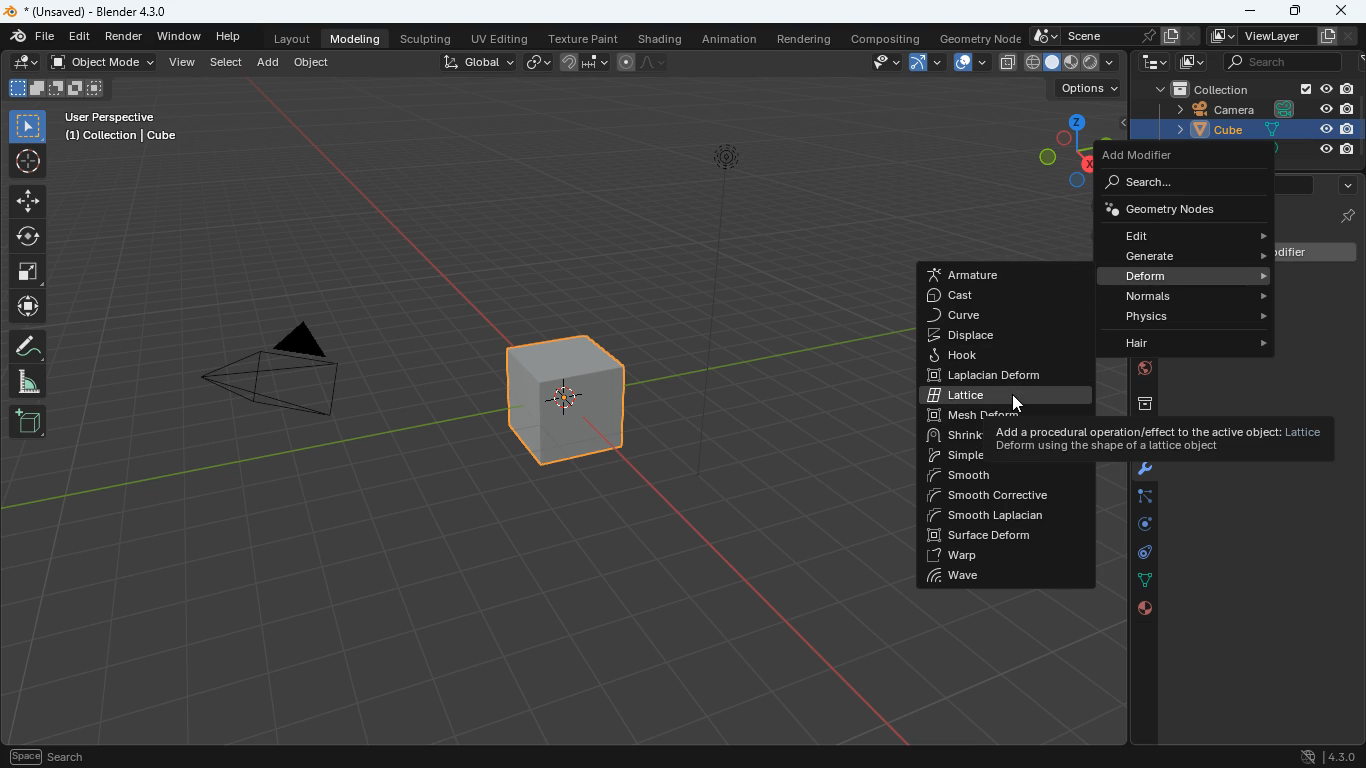 The width and height of the screenshot is (1366, 768). What do you see at coordinates (1020, 402) in the screenshot?
I see `cursor` at bounding box center [1020, 402].